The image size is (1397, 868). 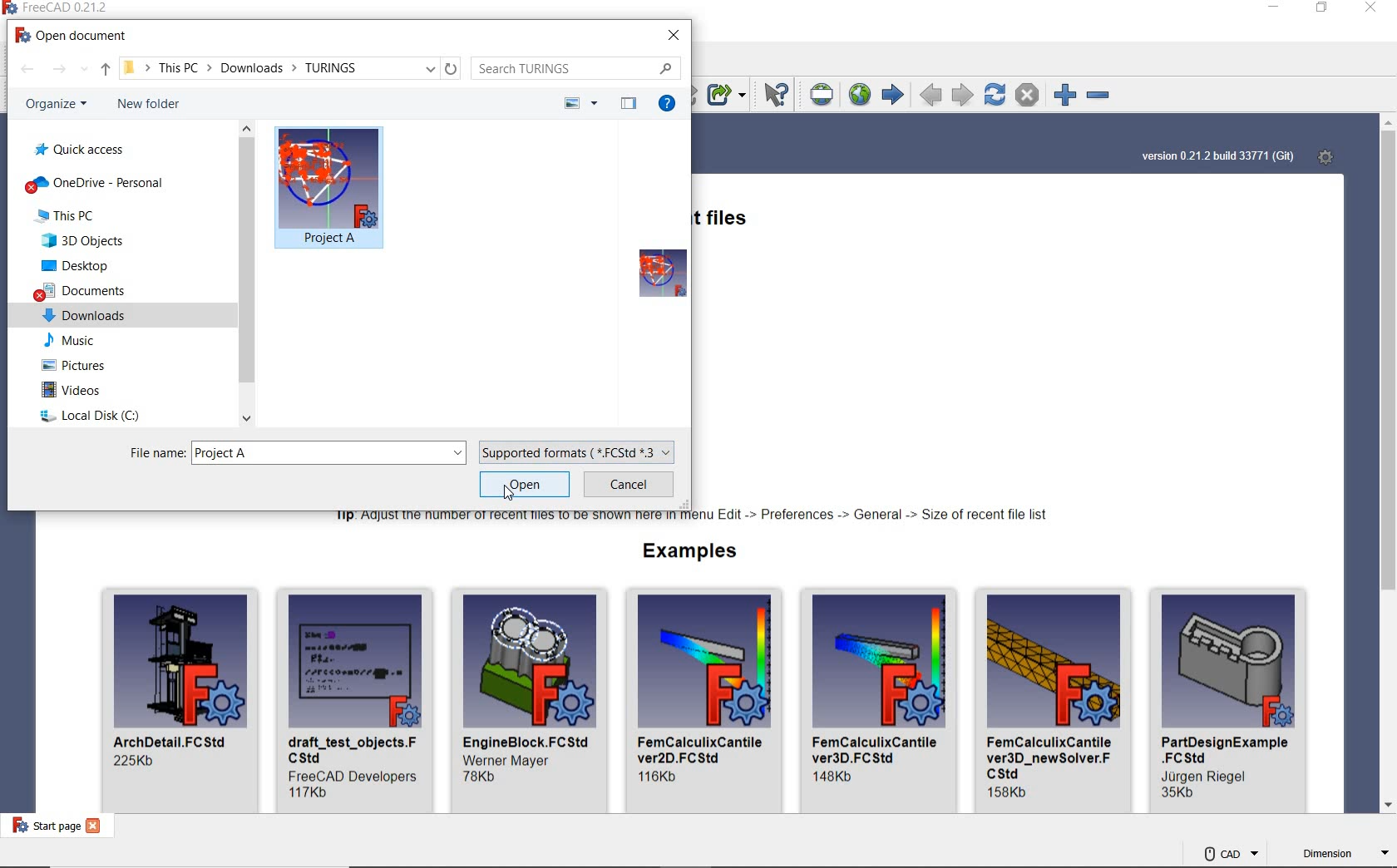 What do you see at coordinates (880, 659) in the screenshot?
I see `image` at bounding box center [880, 659].